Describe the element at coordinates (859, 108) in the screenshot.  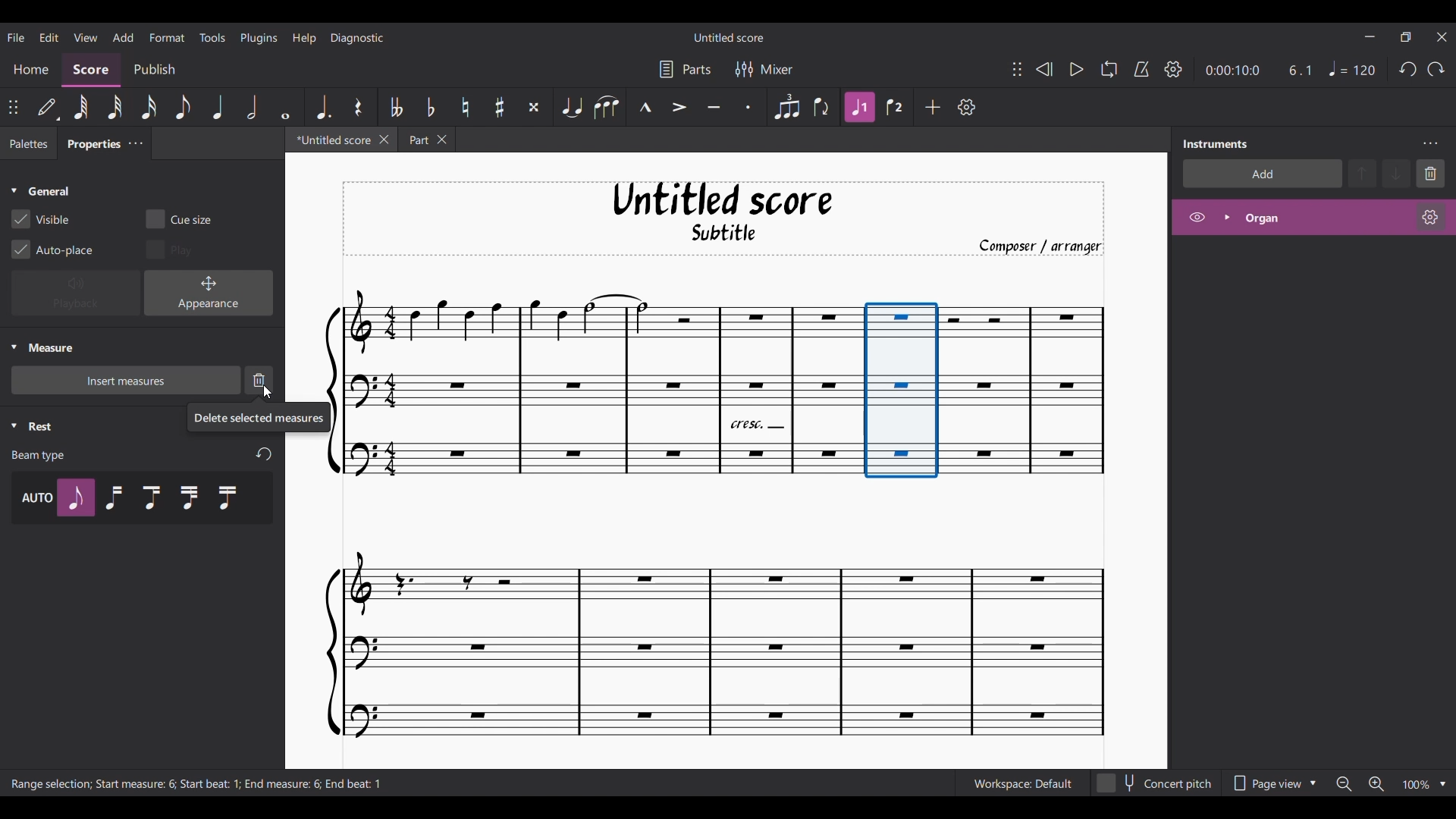
I see `Highlighted after measure selection` at that location.